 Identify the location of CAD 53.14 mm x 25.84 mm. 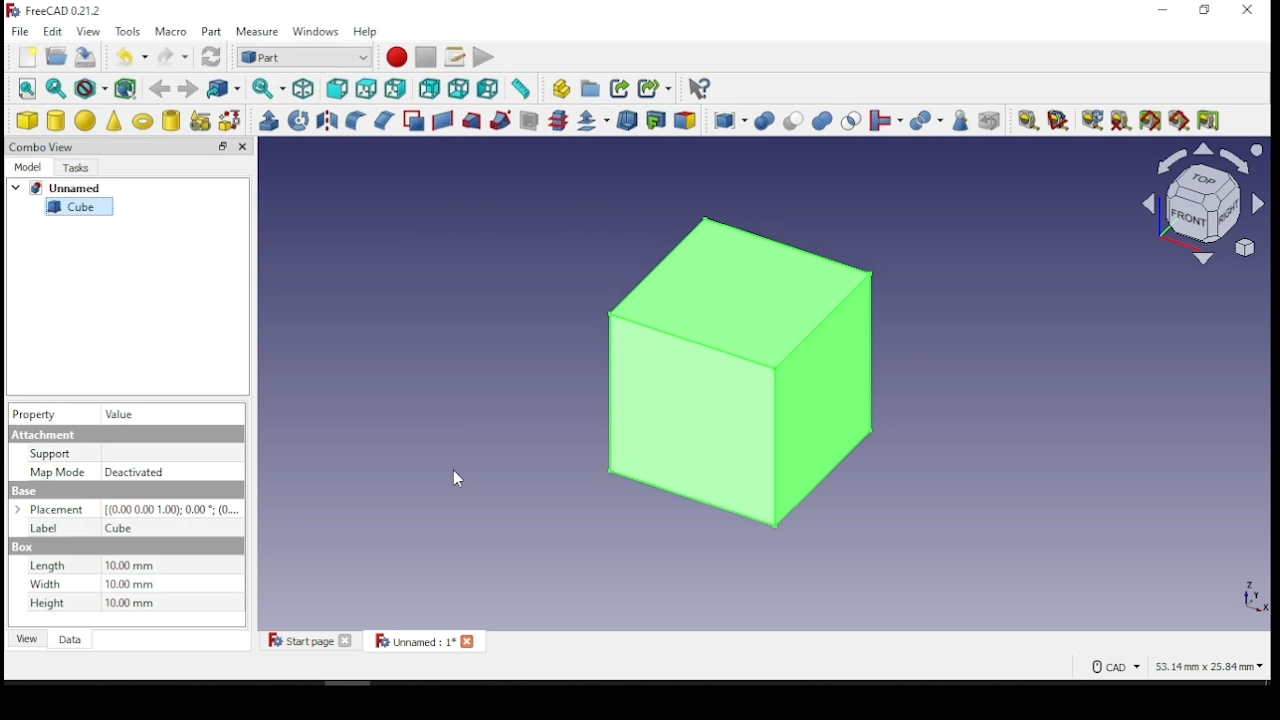
(1179, 666).